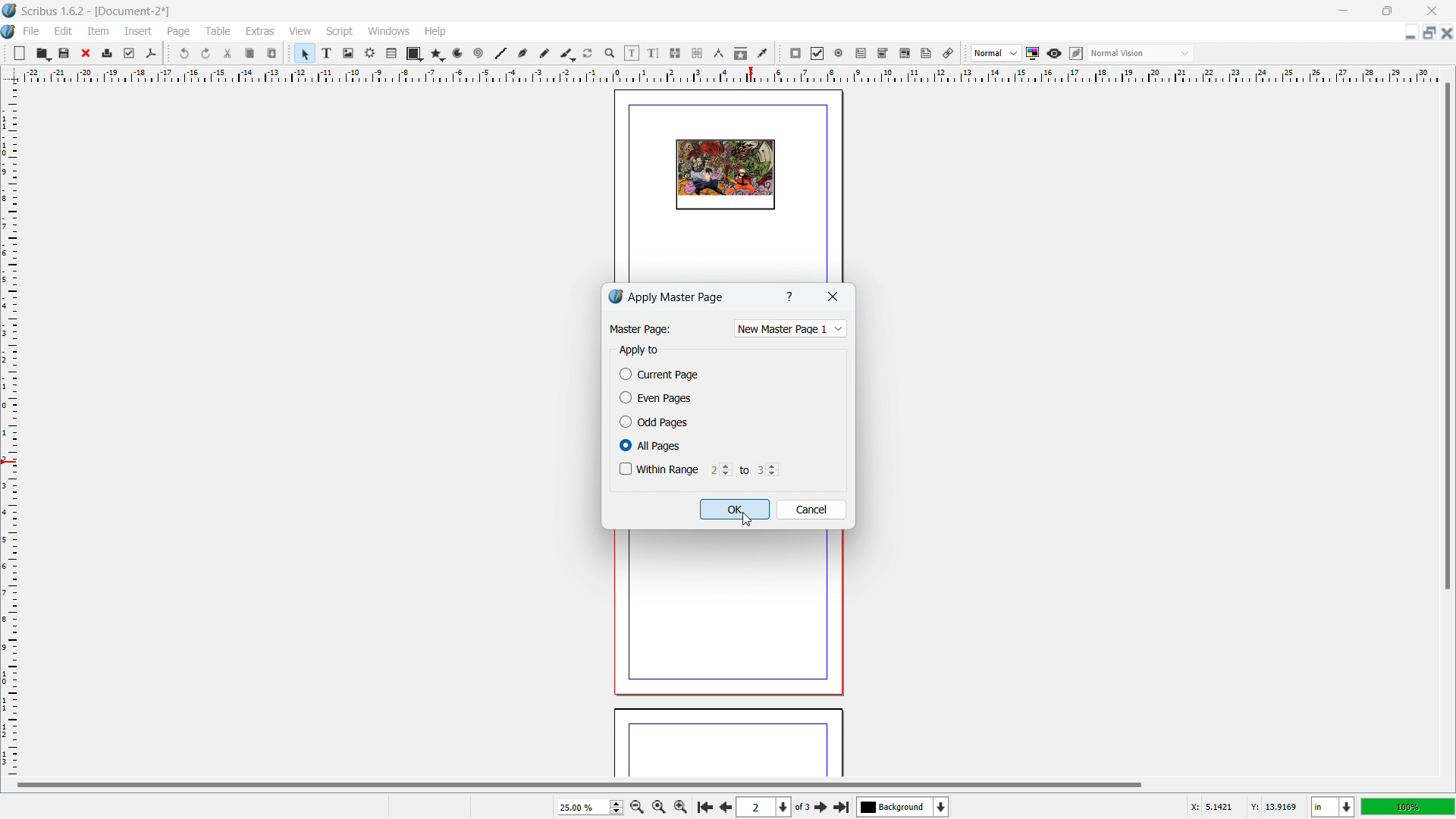 This screenshot has width=1456, height=819. Describe the element at coordinates (415, 54) in the screenshot. I see `shape` at that location.